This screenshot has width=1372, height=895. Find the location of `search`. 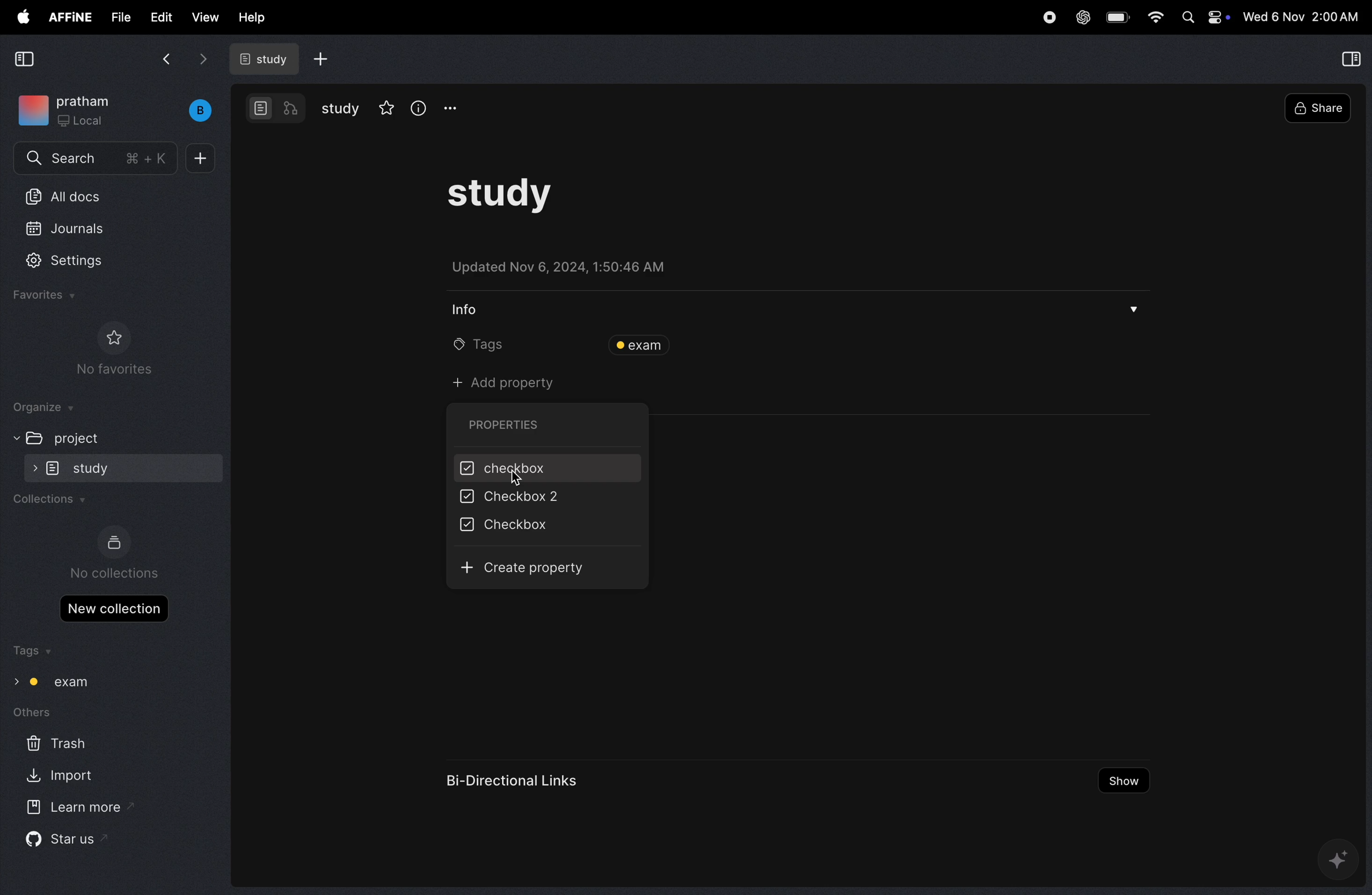

search is located at coordinates (87, 159).